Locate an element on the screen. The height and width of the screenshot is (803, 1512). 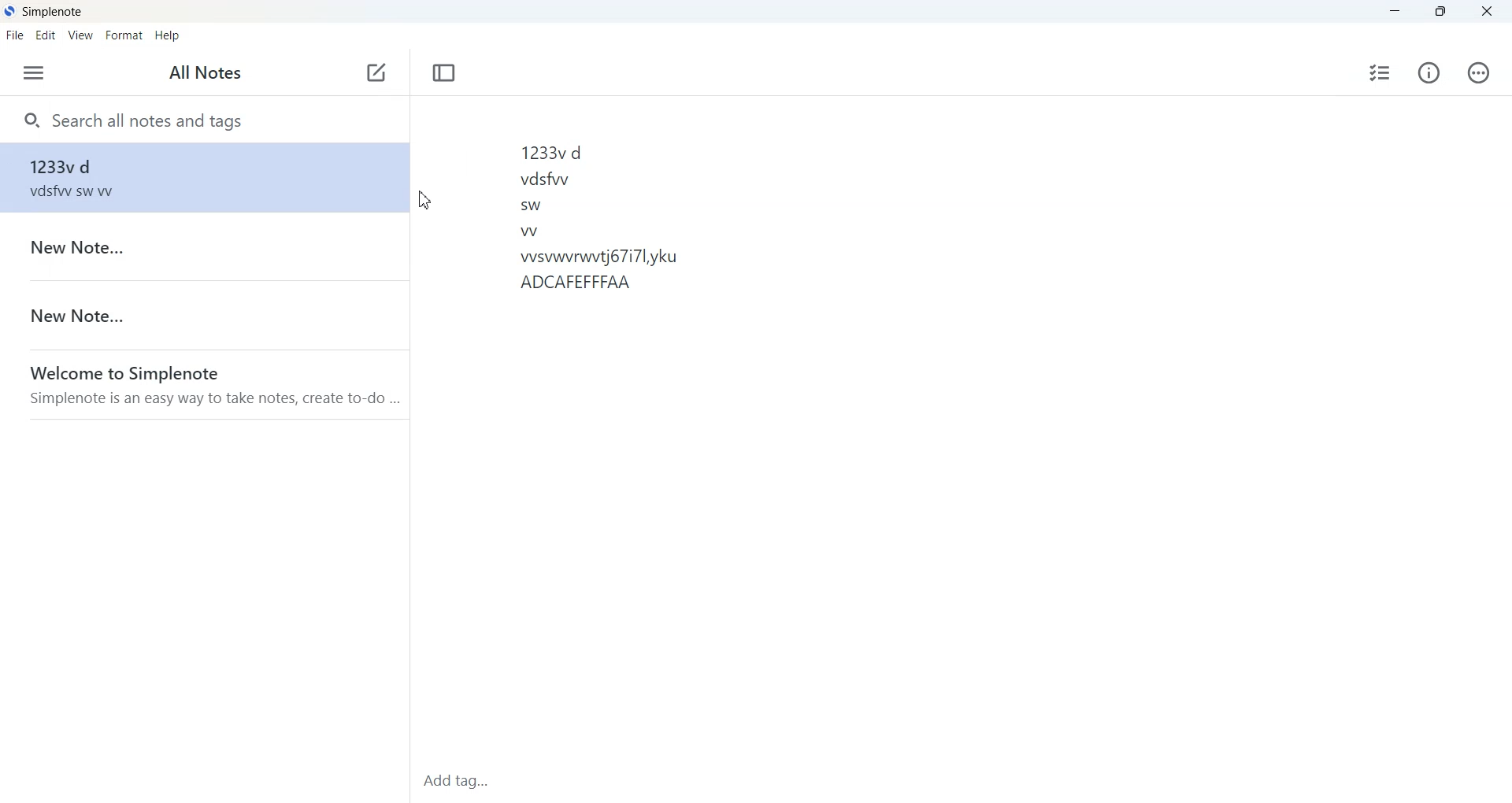
Actions is located at coordinates (1477, 72).